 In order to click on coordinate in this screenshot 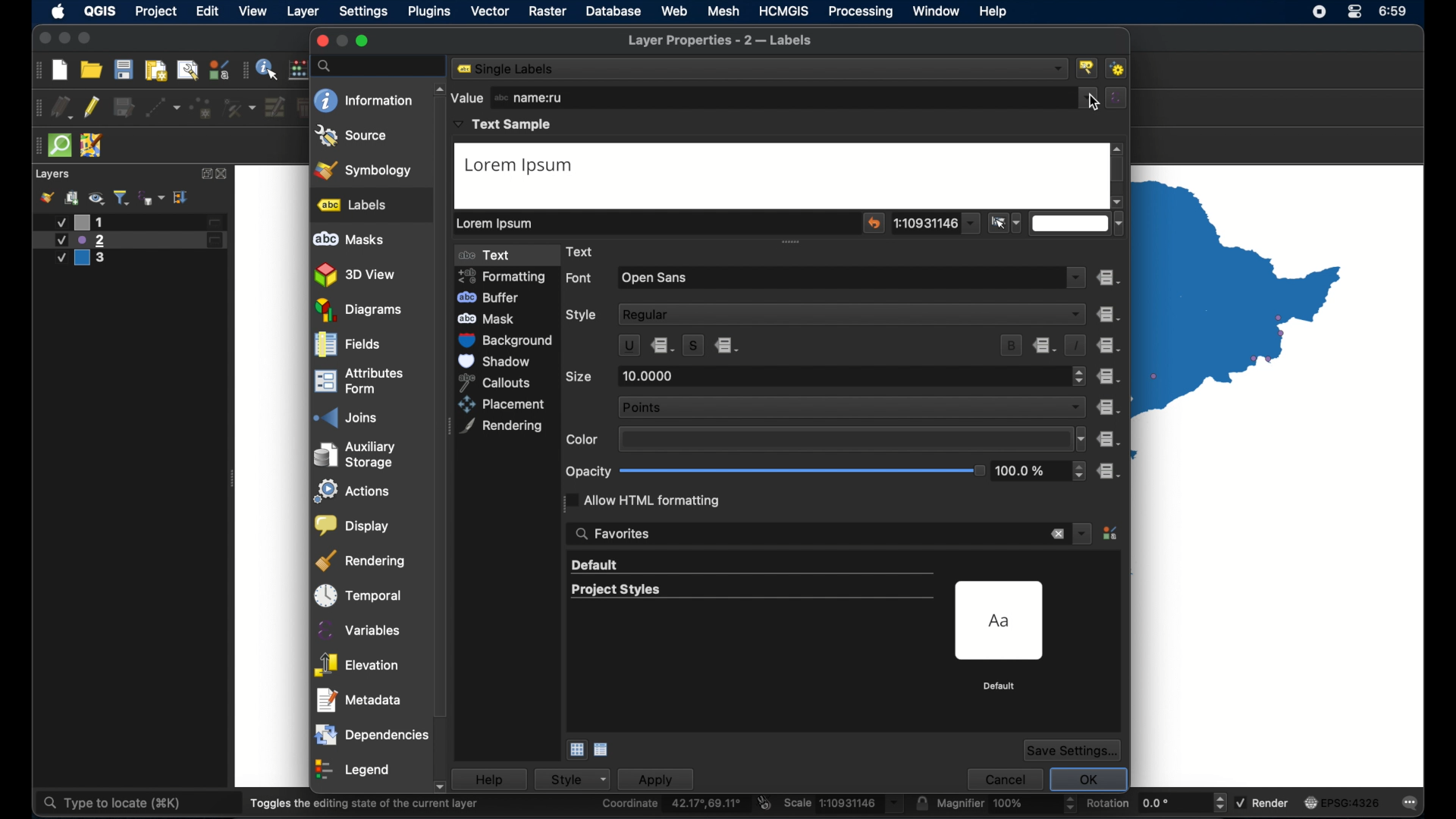, I will do `click(673, 804)`.